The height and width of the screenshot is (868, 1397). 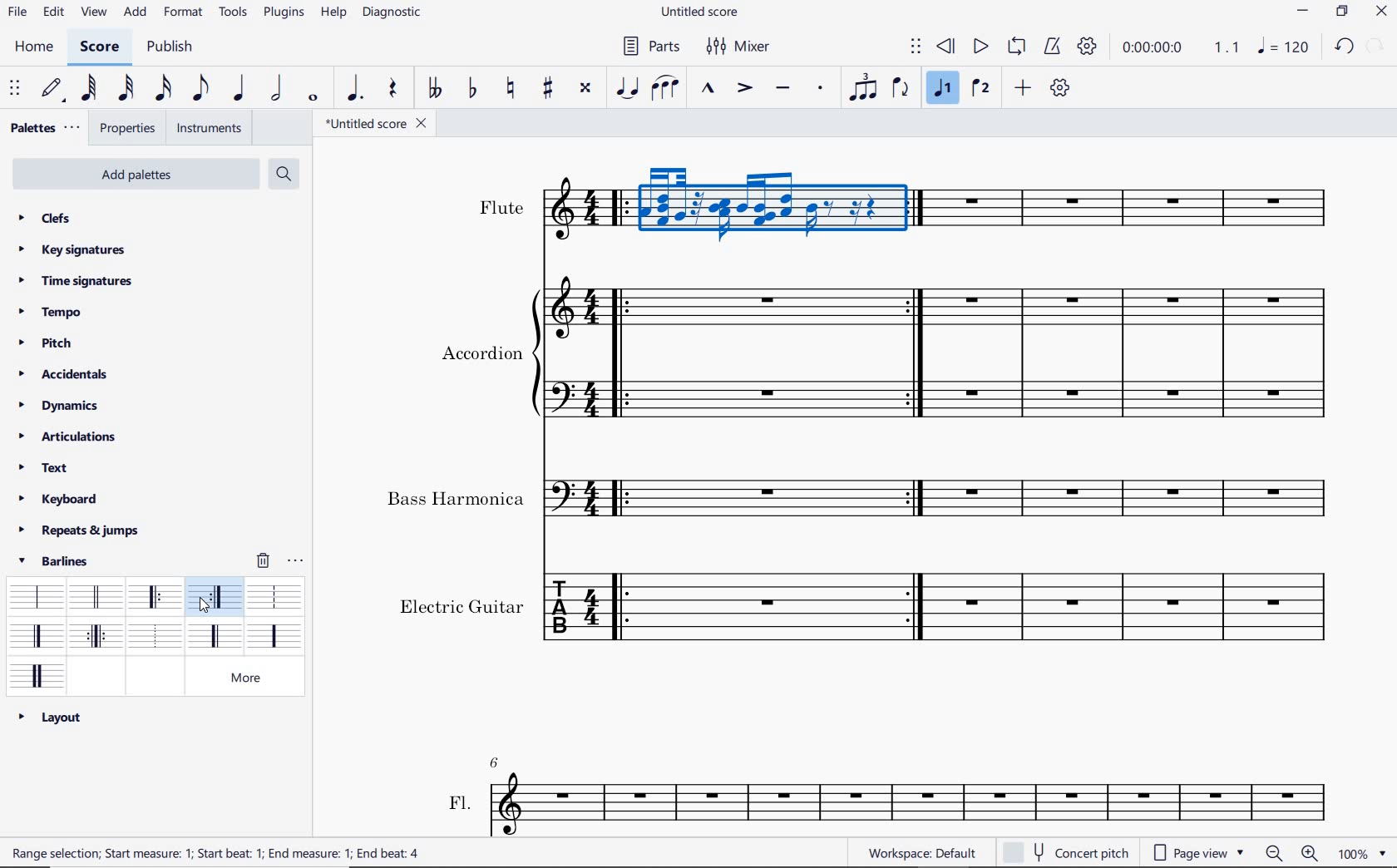 What do you see at coordinates (54, 89) in the screenshot?
I see `default (step time)` at bounding box center [54, 89].